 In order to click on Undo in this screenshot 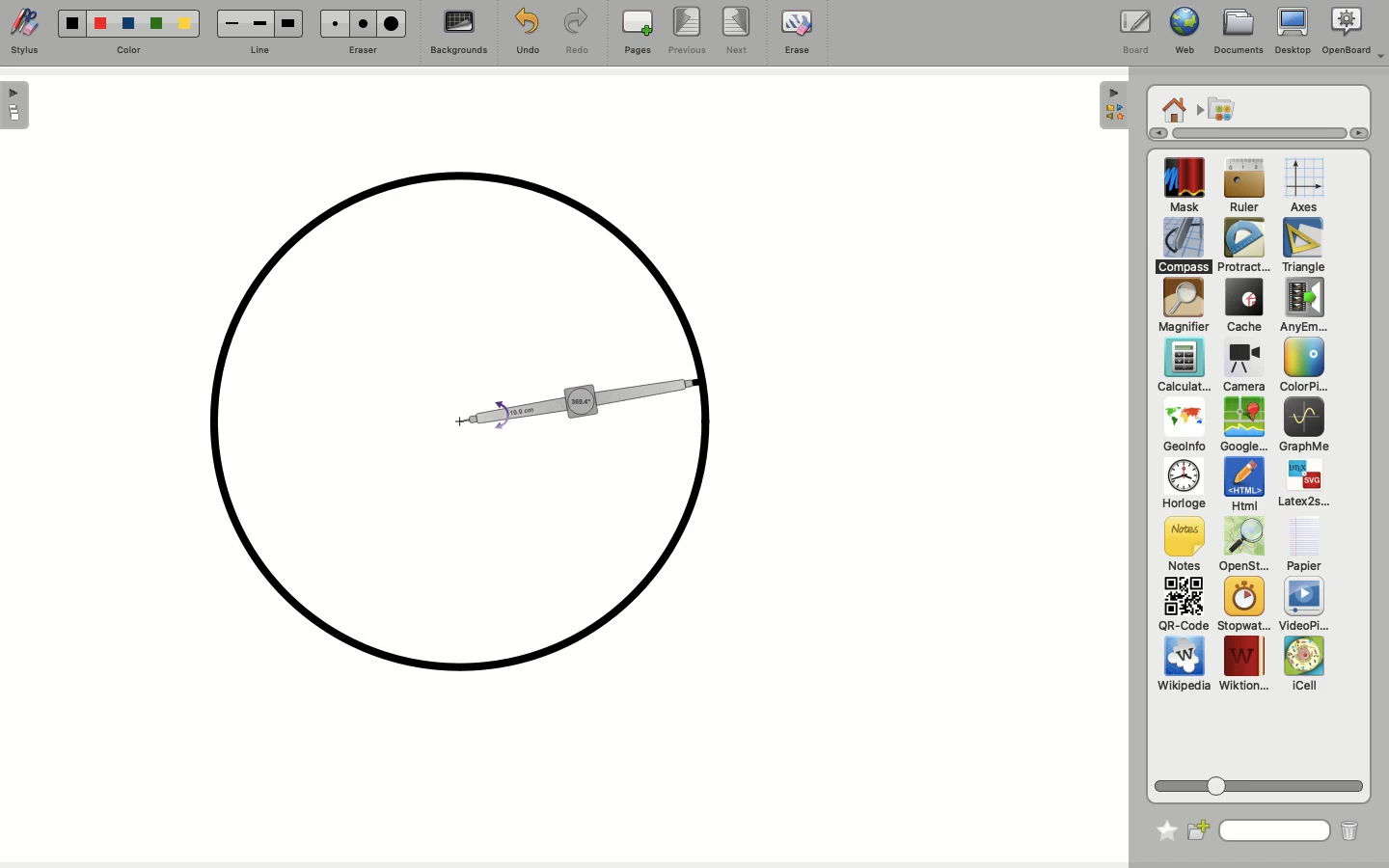, I will do `click(525, 31)`.